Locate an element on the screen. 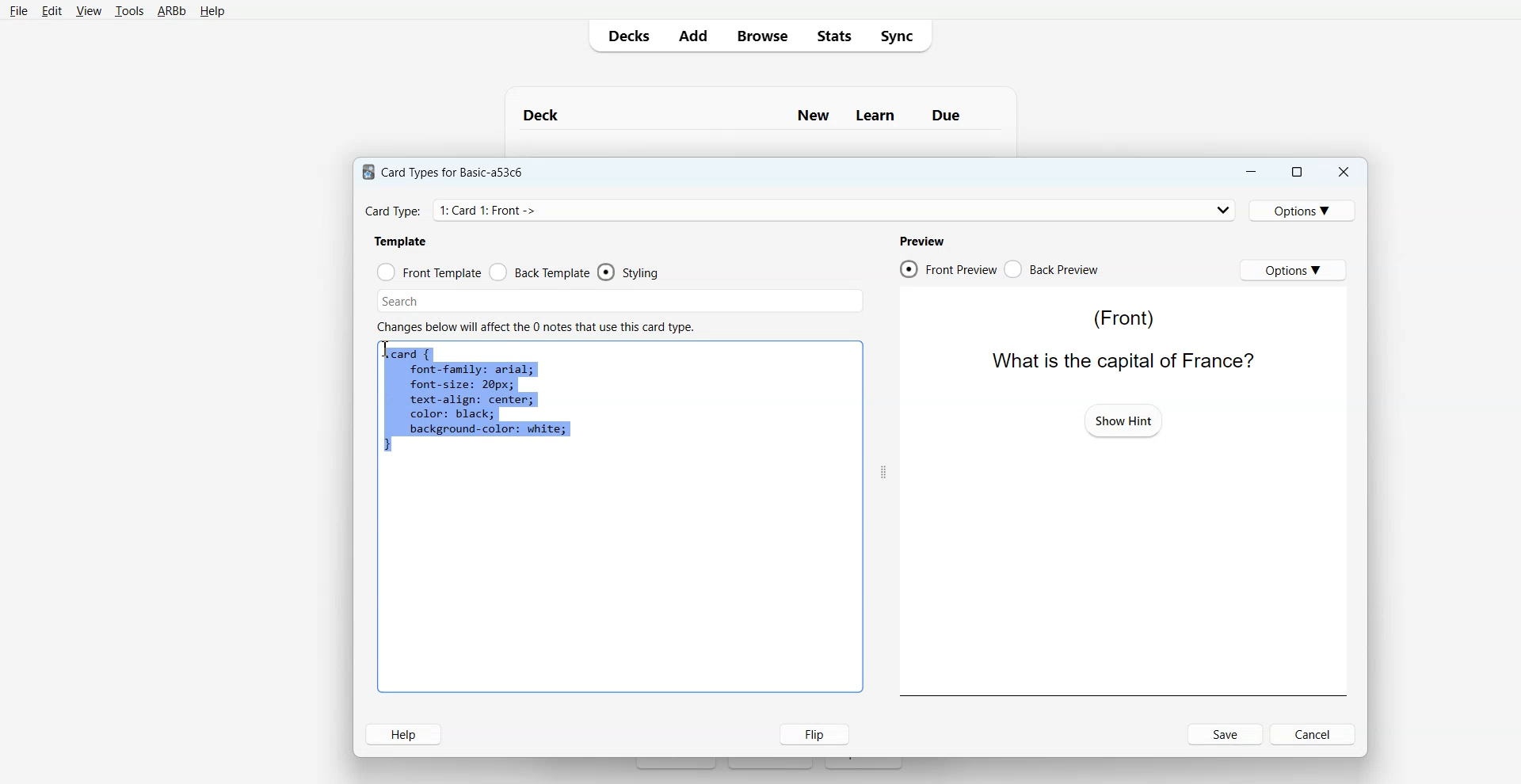 The height and width of the screenshot is (784, 1521). Tools is located at coordinates (129, 12).